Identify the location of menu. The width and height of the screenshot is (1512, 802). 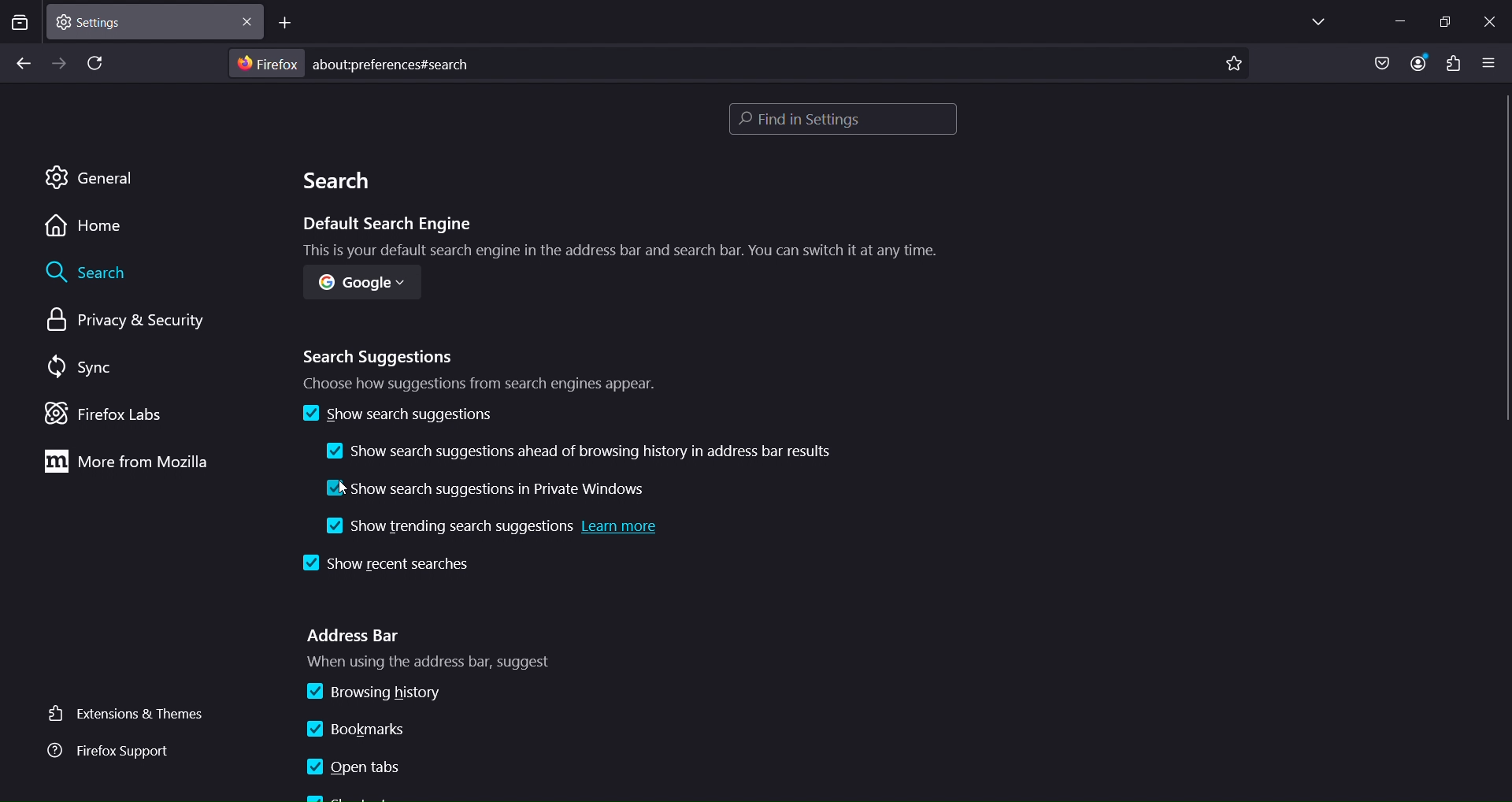
(1452, 64).